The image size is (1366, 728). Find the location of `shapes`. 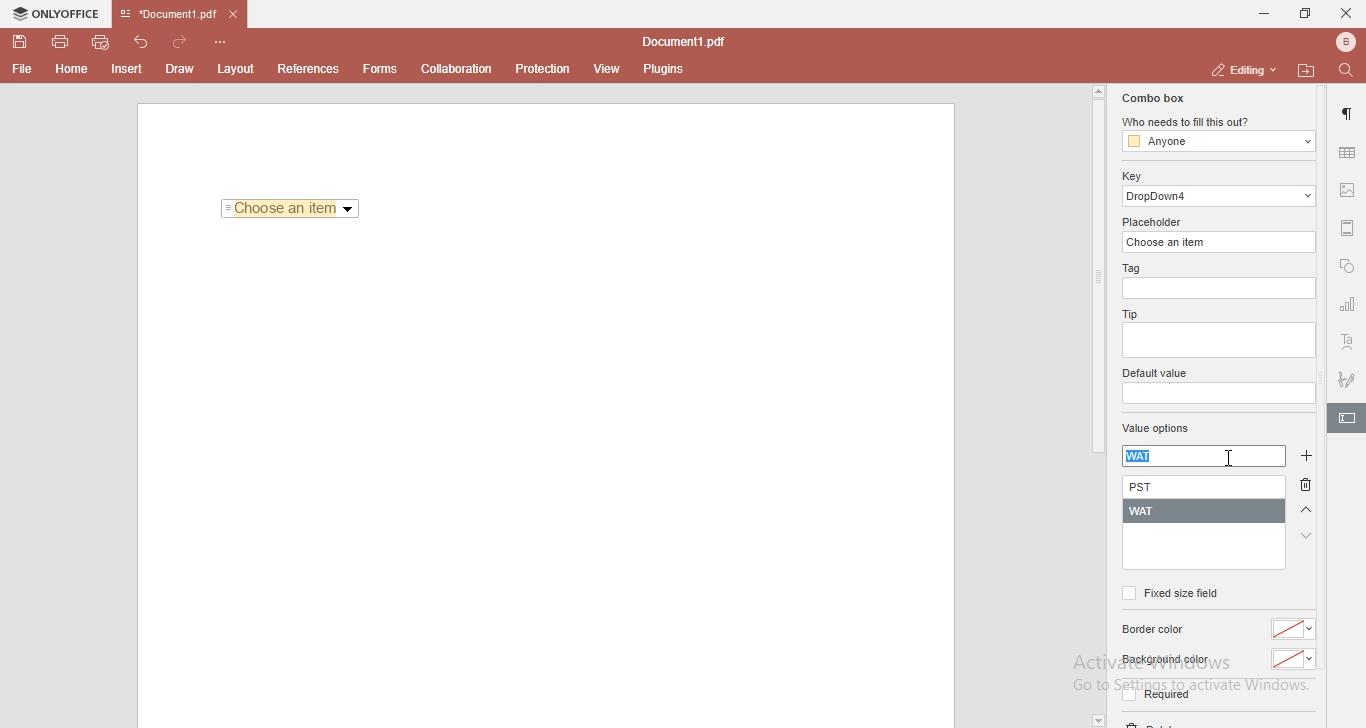

shapes is located at coordinates (1347, 268).